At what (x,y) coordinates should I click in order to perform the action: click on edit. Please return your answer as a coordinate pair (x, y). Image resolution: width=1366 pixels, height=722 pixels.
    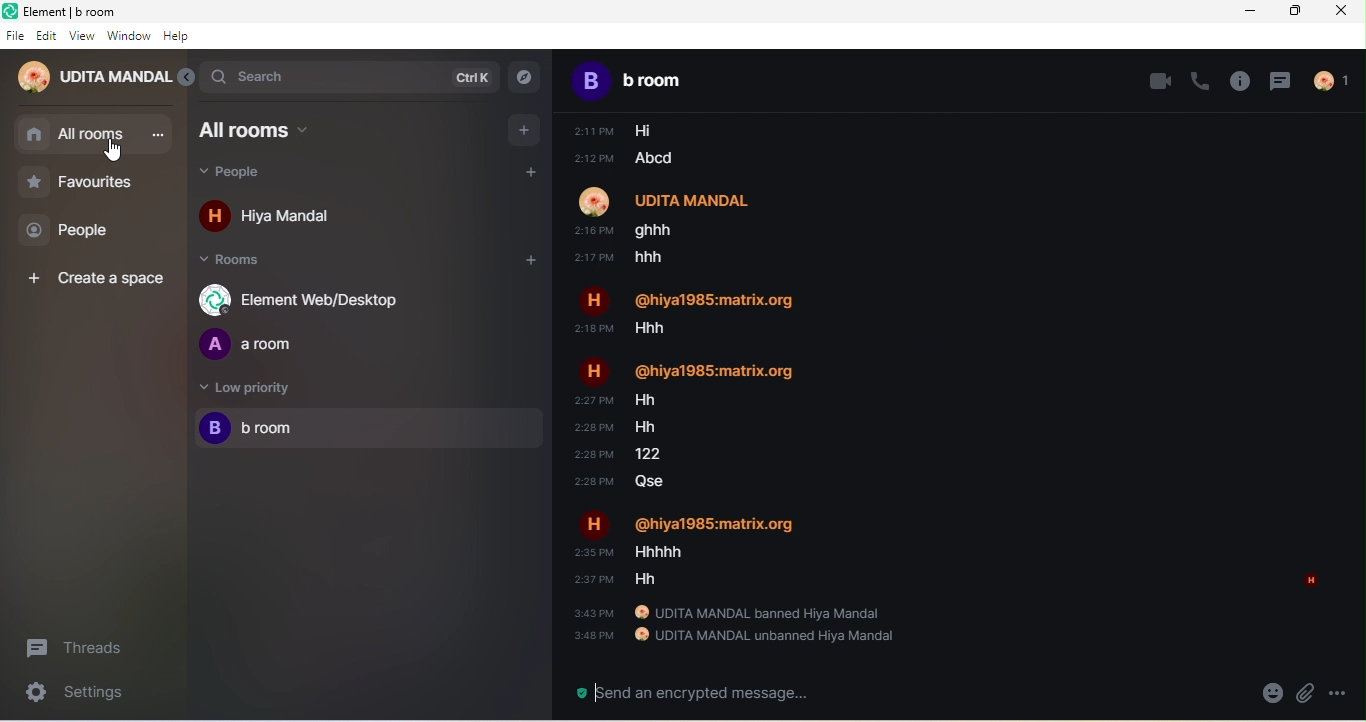
    Looking at the image, I should click on (47, 35).